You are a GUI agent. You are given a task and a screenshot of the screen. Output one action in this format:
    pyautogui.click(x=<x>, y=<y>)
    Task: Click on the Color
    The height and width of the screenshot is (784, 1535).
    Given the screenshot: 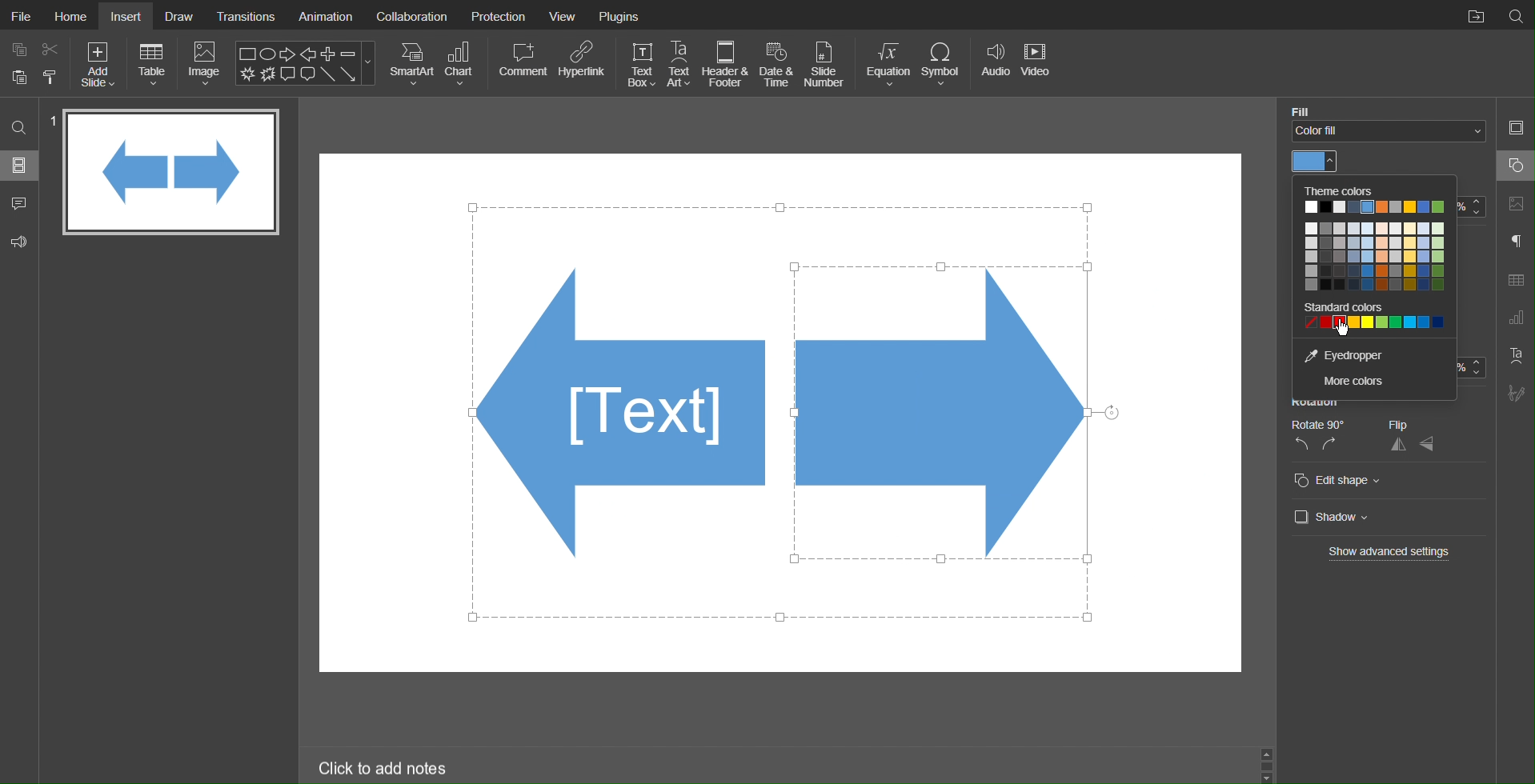 What is the action you would take?
    pyautogui.click(x=1319, y=161)
    